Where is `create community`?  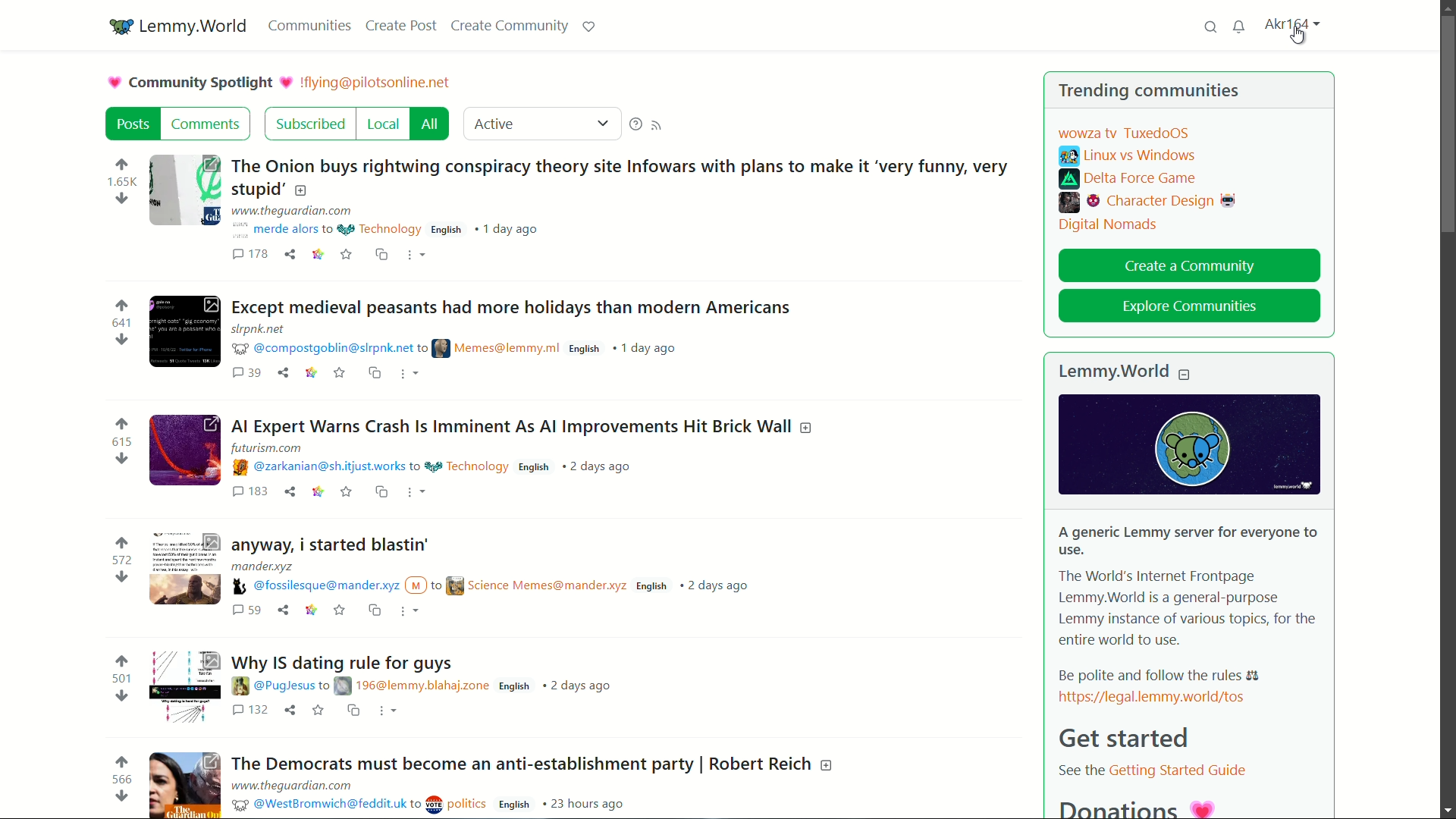 create community is located at coordinates (509, 26).